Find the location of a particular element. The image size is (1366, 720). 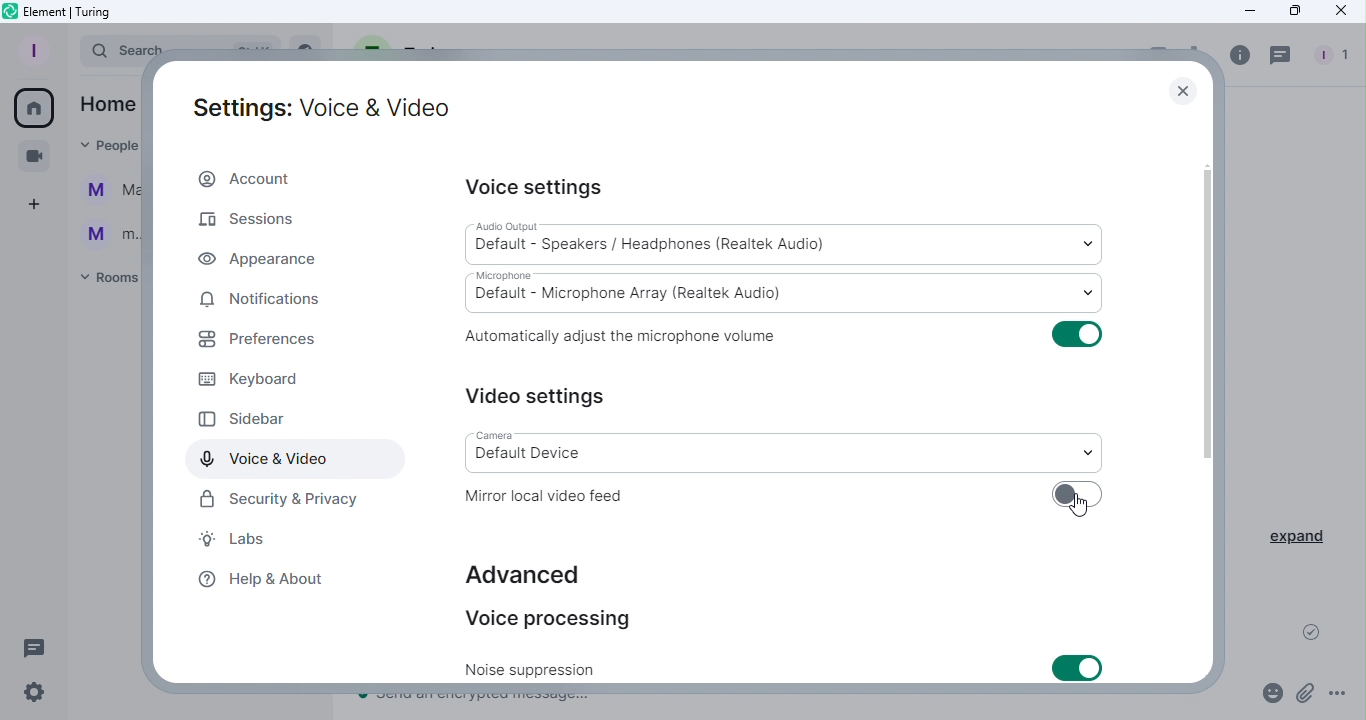

People is located at coordinates (114, 145).